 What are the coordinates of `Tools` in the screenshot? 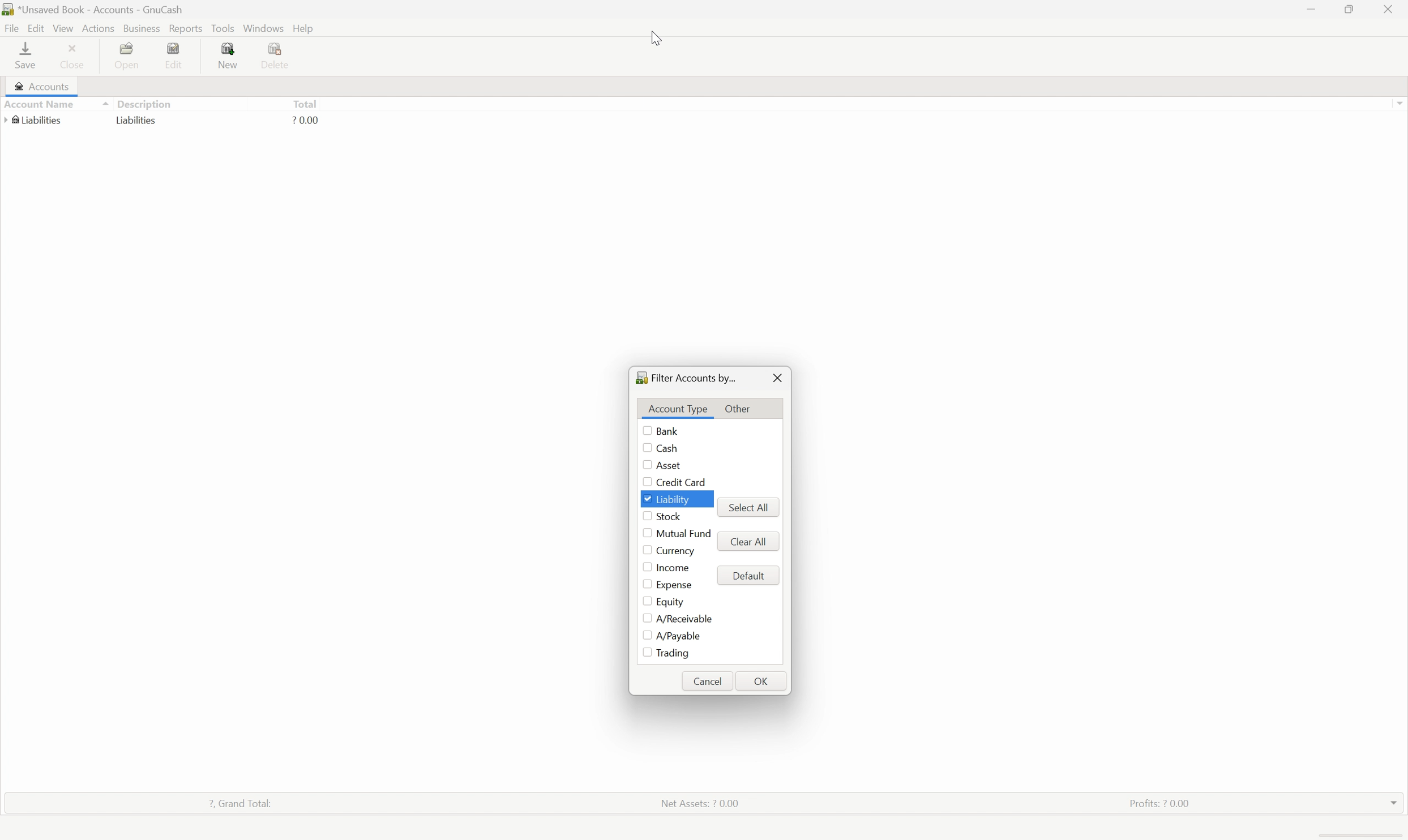 It's located at (222, 28).